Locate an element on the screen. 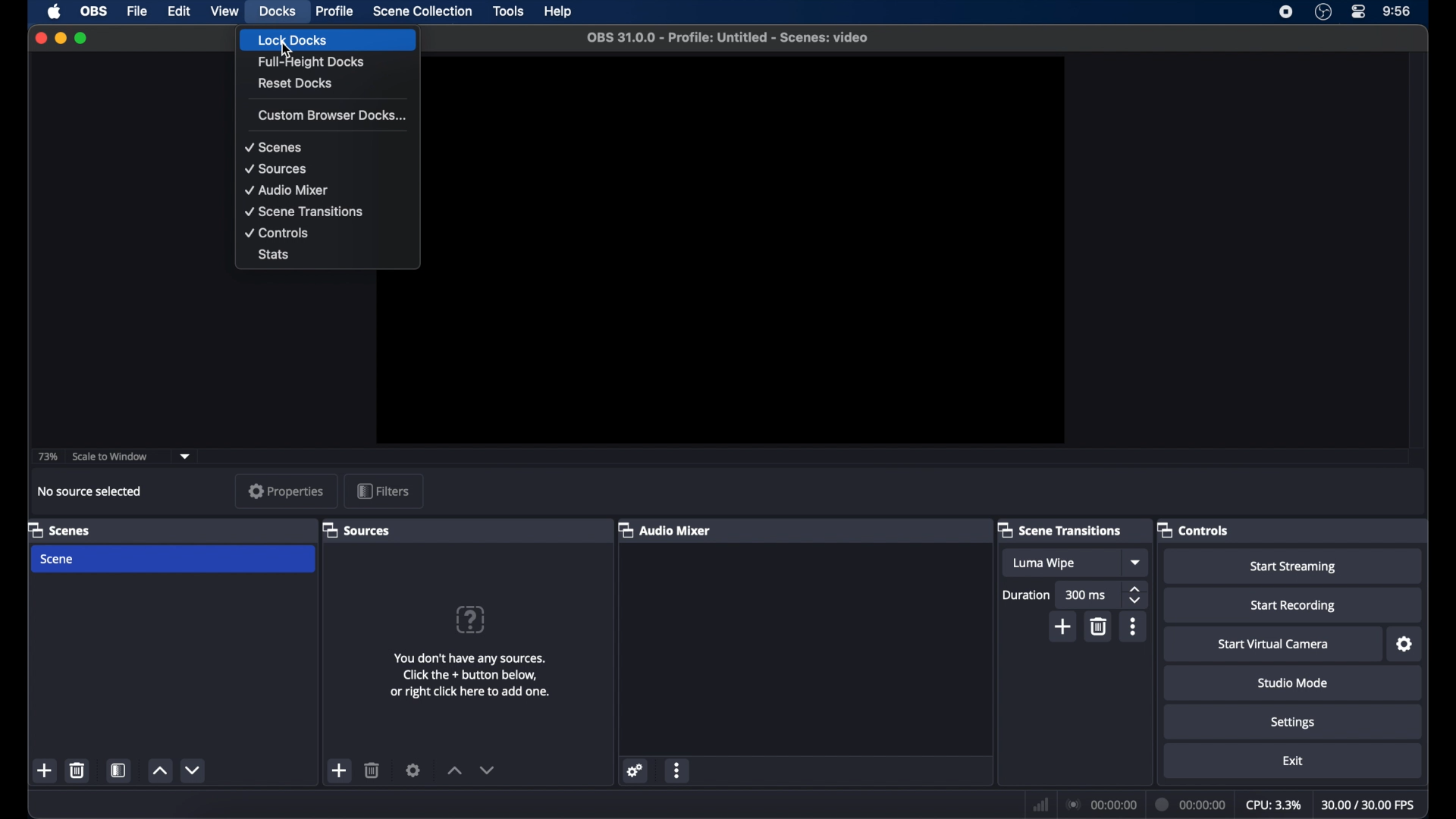  increment is located at coordinates (454, 770).